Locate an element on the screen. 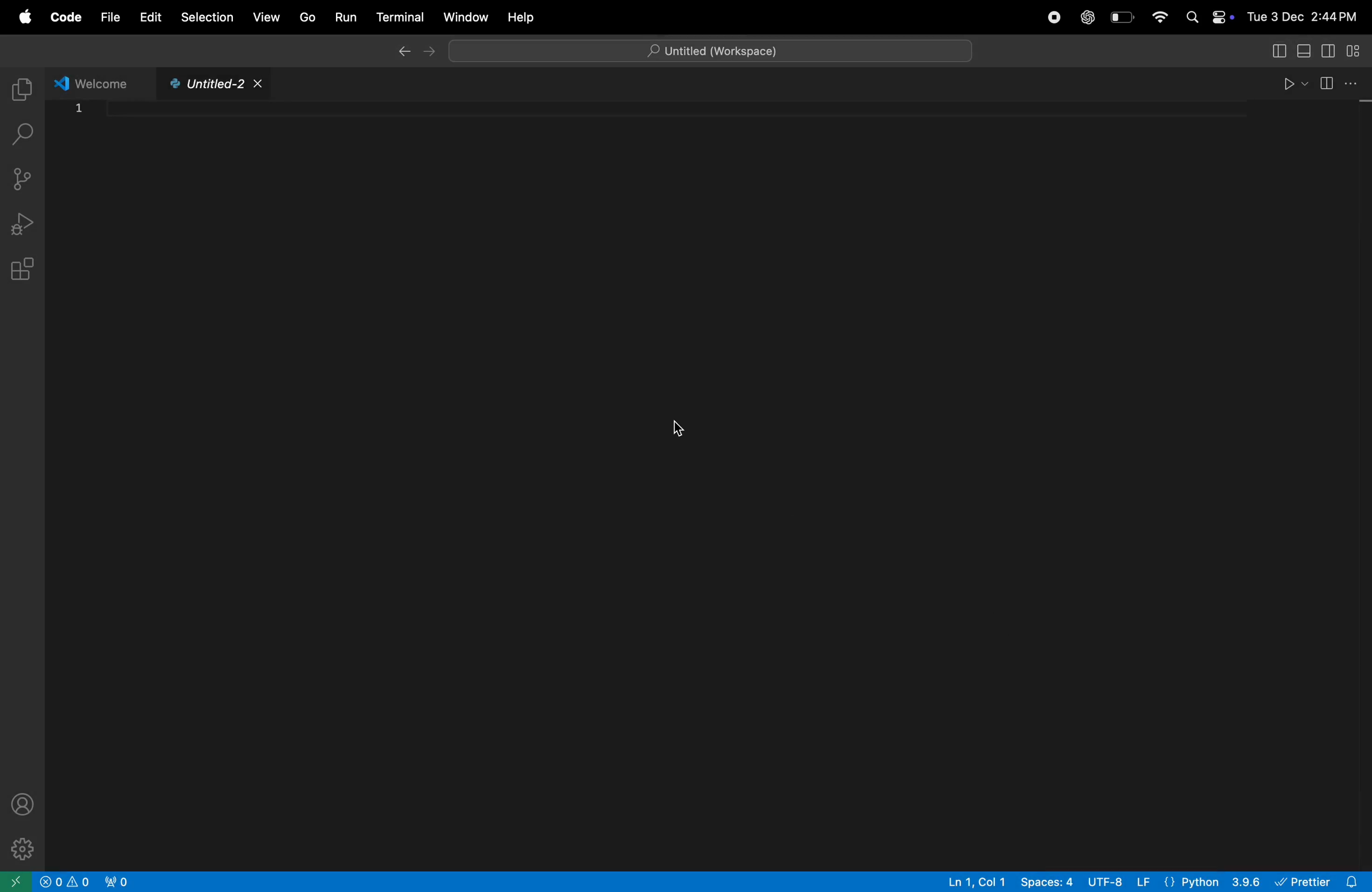 The width and height of the screenshot is (1372, 892). chatgpt is located at coordinates (1088, 18).